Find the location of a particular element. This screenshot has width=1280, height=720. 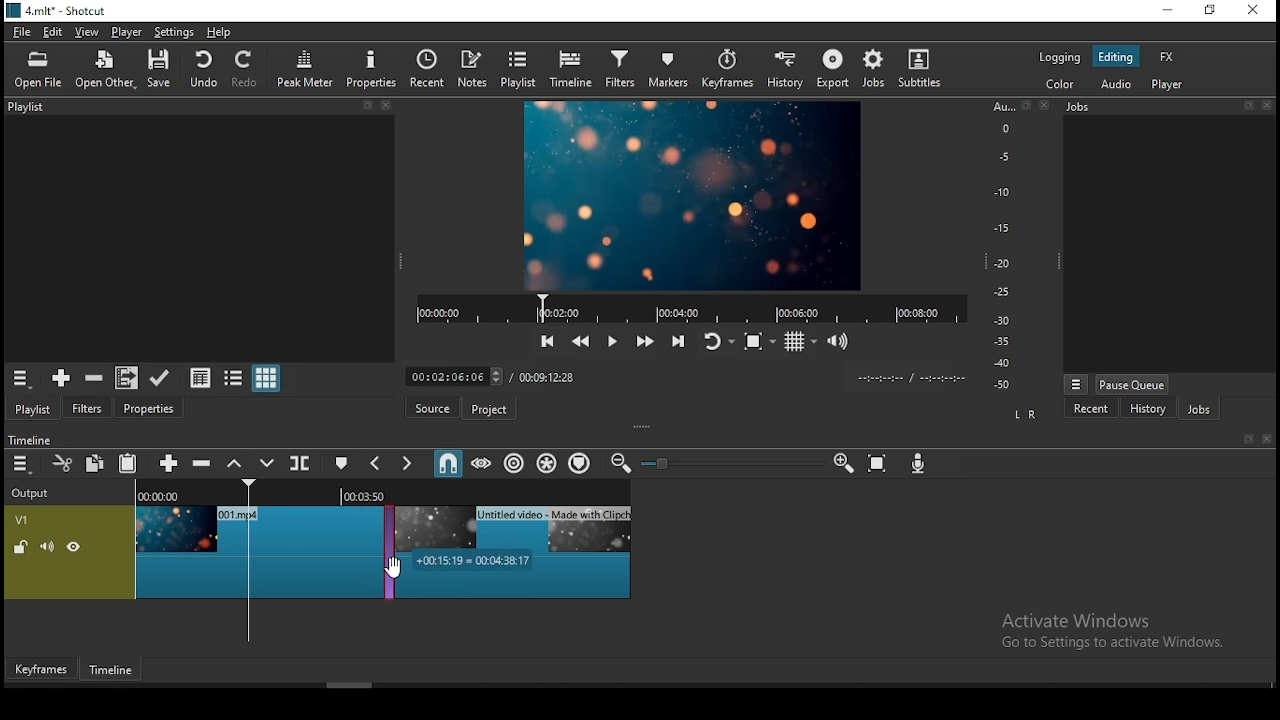

cut is located at coordinates (61, 462).